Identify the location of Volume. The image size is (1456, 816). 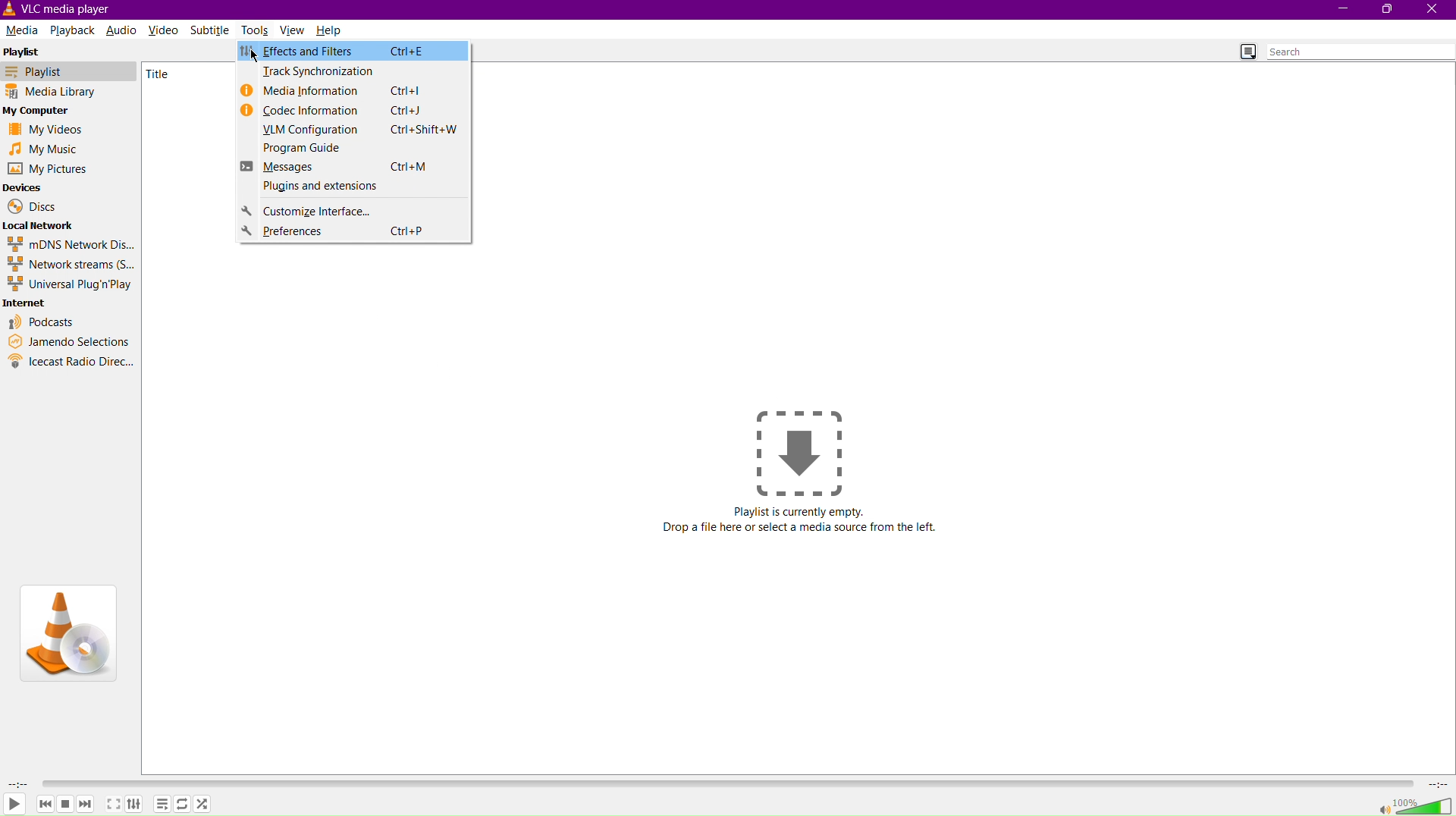
(1406, 805).